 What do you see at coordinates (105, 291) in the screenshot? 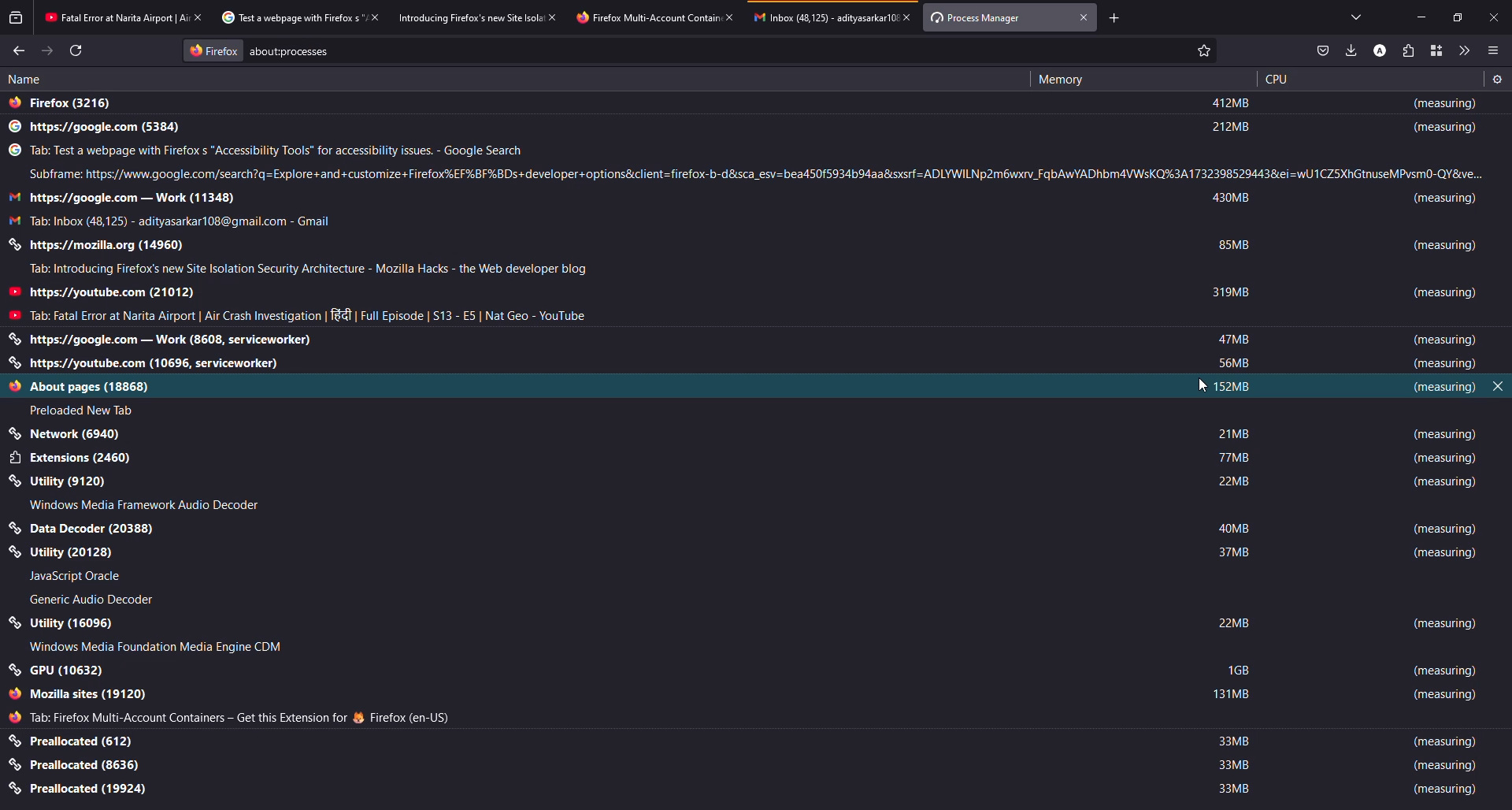
I see `https://youtube.com (21012)` at bounding box center [105, 291].